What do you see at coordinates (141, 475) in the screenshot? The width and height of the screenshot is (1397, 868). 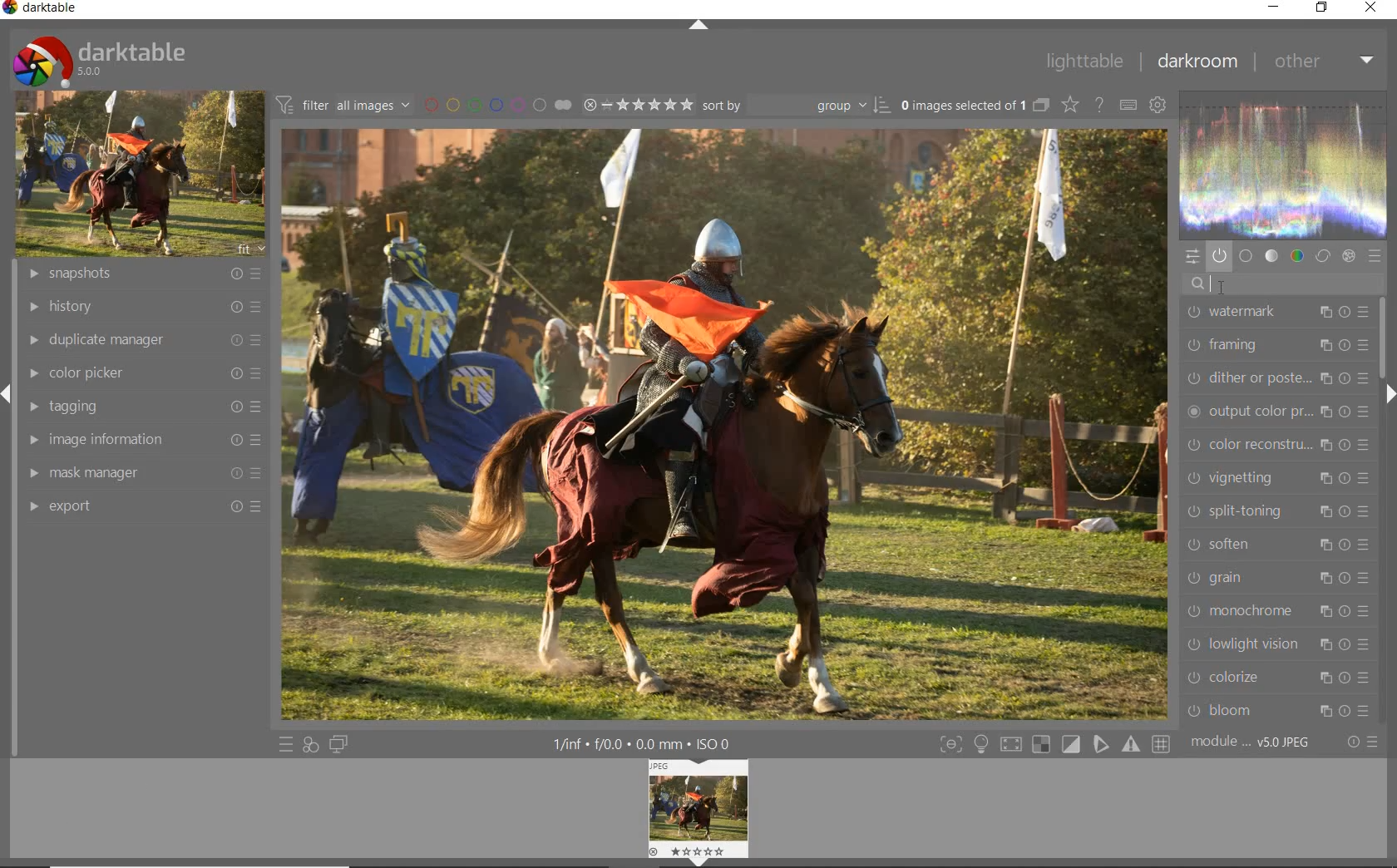 I see `mask manager` at bounding box center [141, 475].